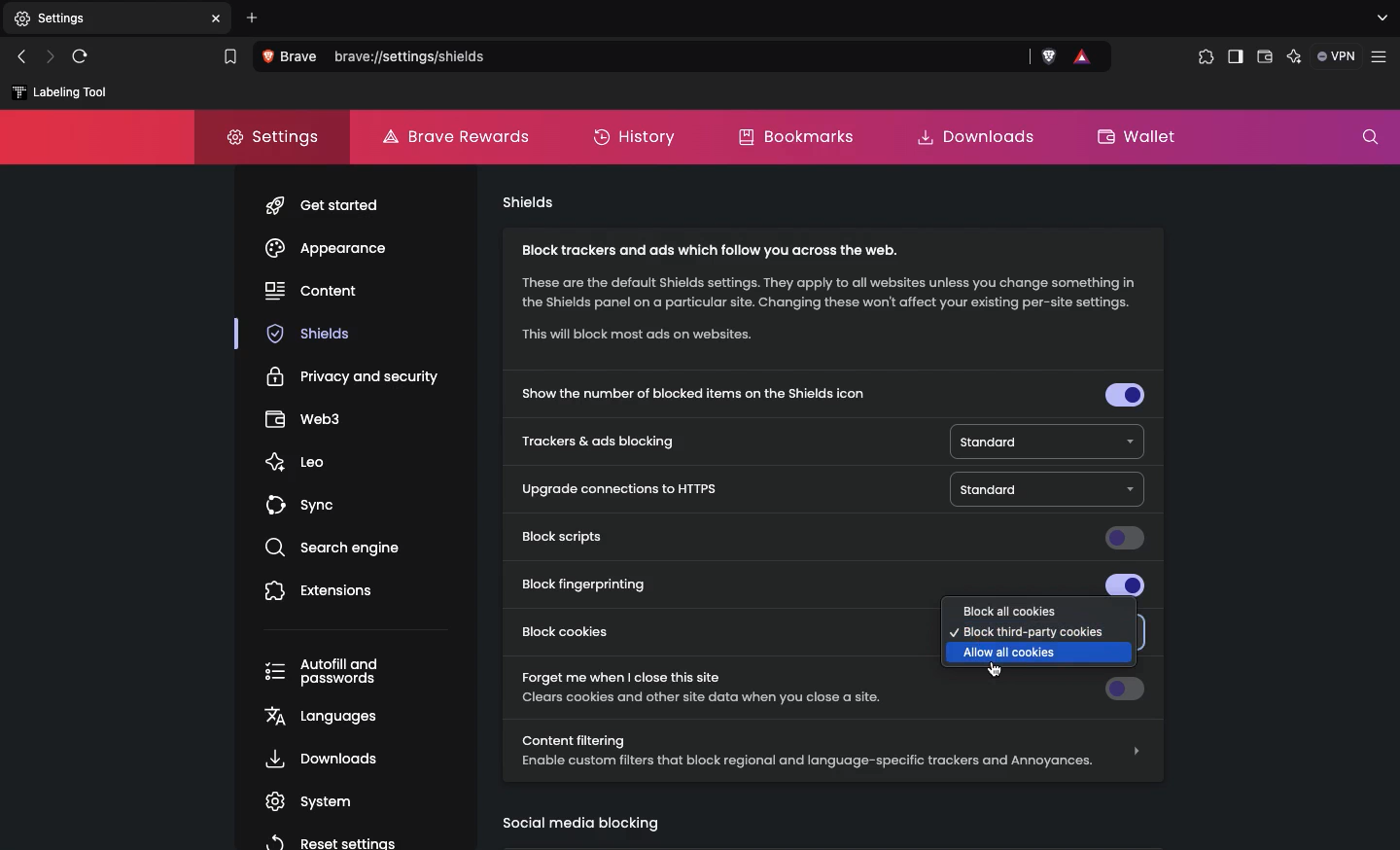  What do you see at coordinates (638, 137) in the screenshot?
I see `History` at bounding box center [638, 137].